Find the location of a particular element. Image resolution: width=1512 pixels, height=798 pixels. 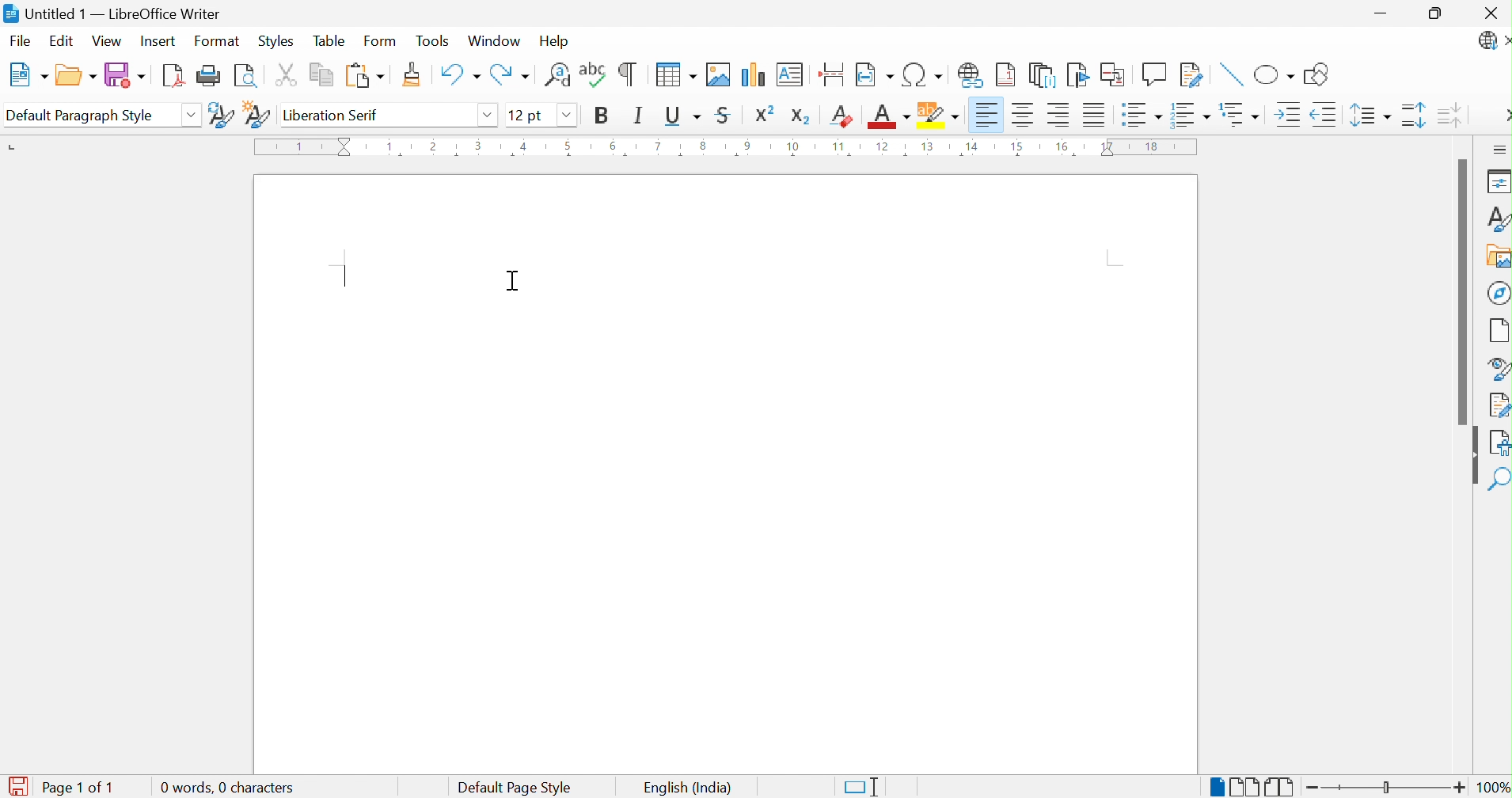

Decrease Indent is located at coordinates (1325, 114).